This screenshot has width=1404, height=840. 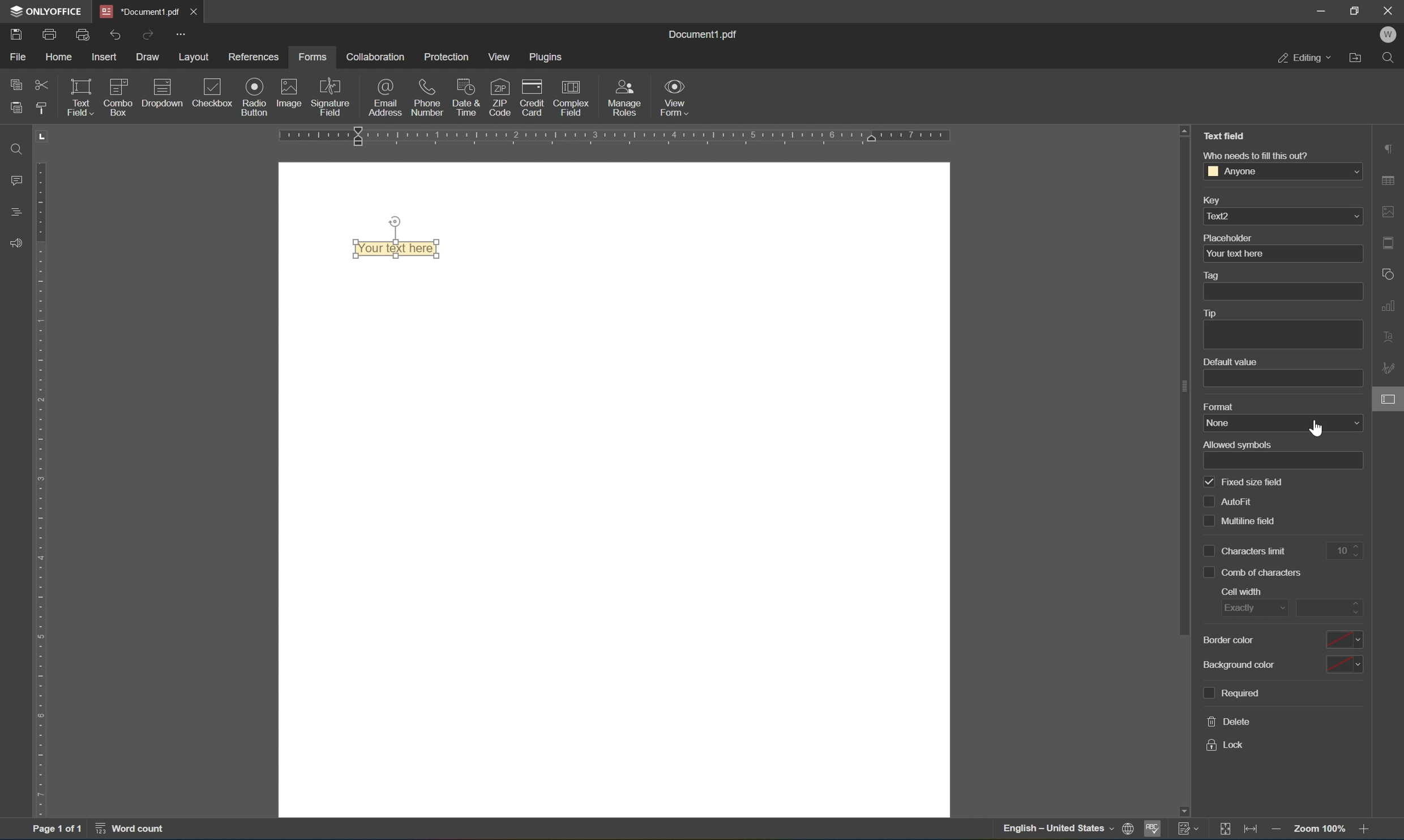 I want to click on layout, so click(x=195, y=57).